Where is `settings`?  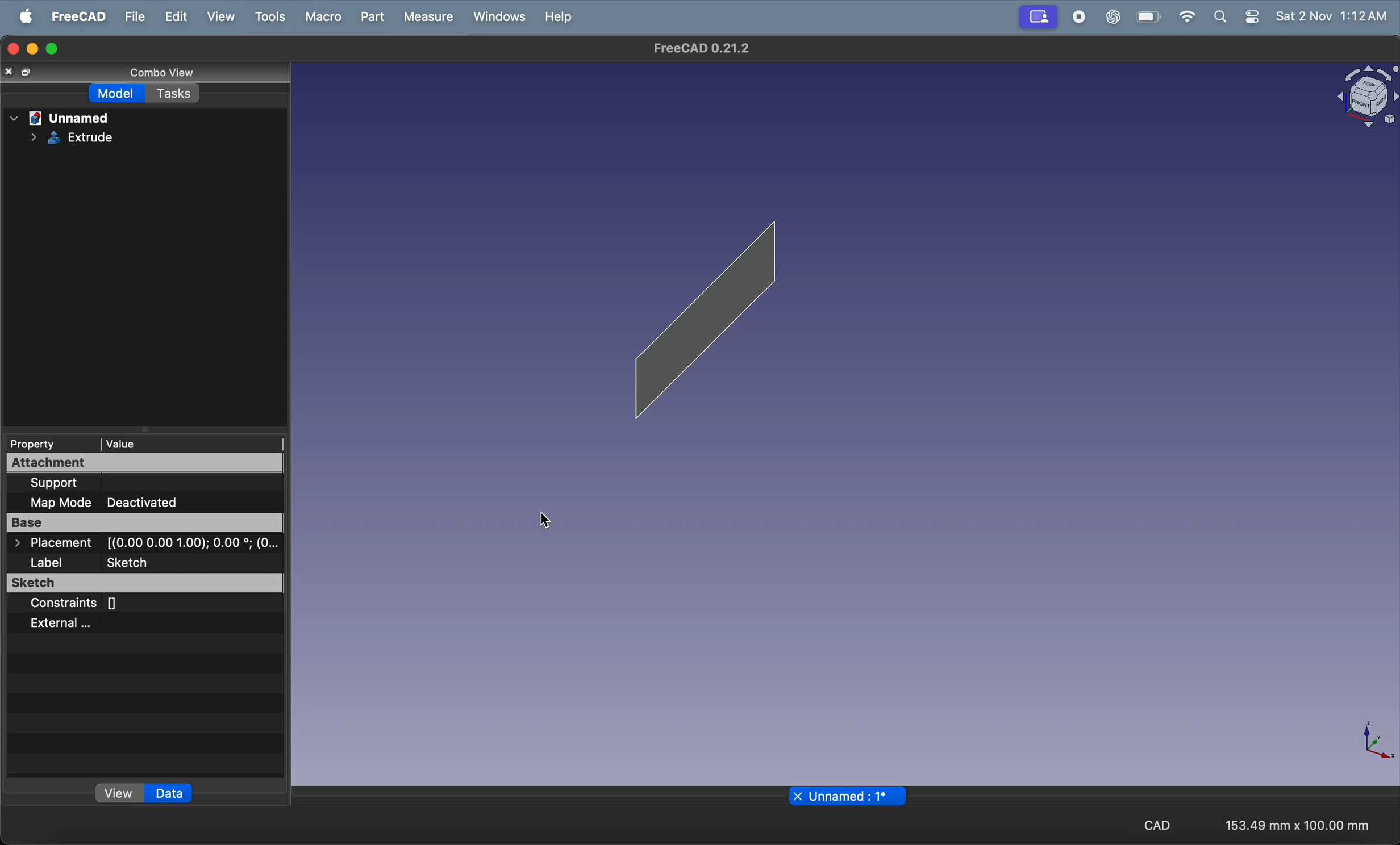
settings is located at coordinates (1252, 17).